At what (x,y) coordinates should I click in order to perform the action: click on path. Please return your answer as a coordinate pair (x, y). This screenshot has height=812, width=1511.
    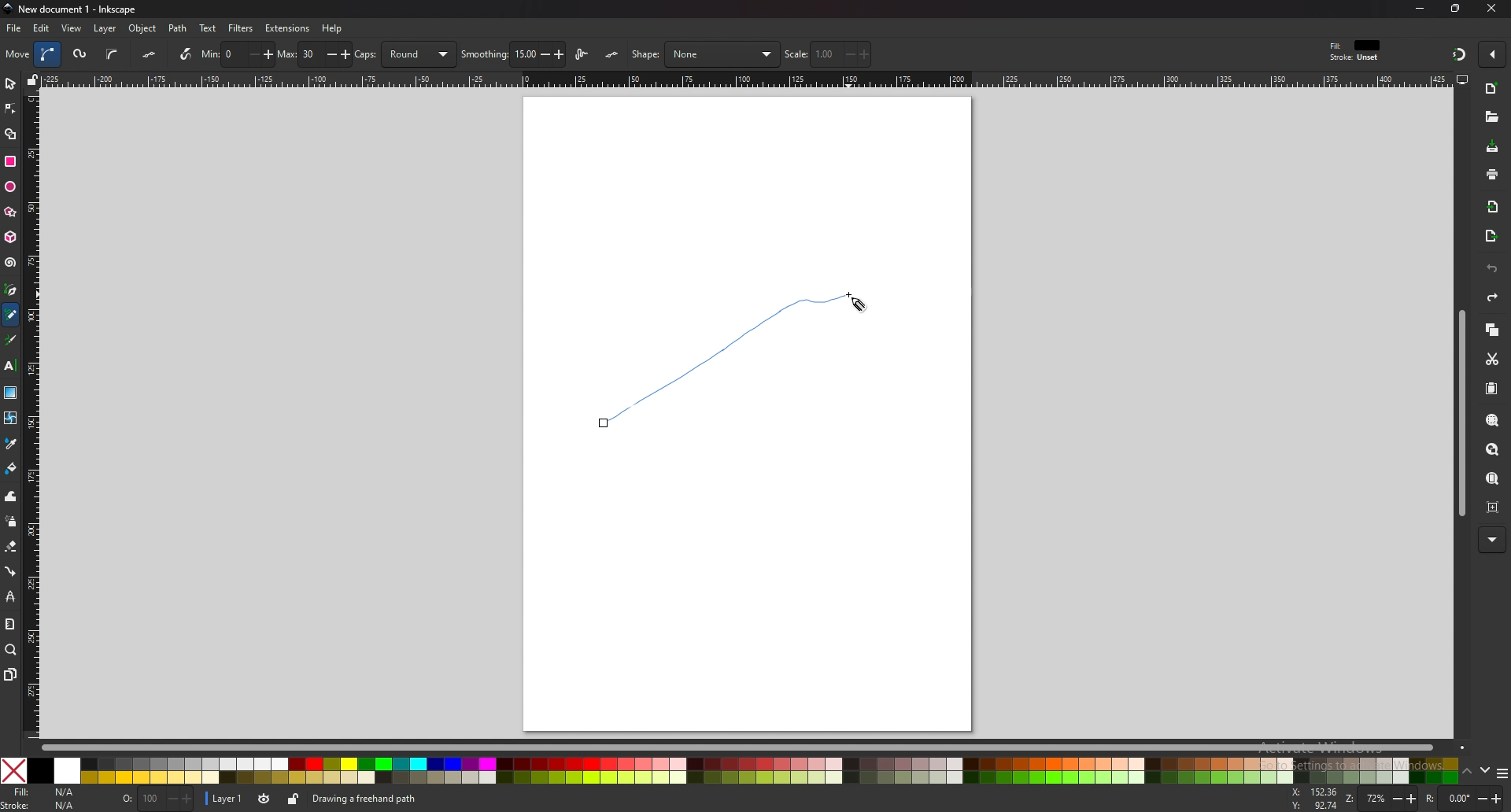
    Looking at the image, I should click on (179, 28).